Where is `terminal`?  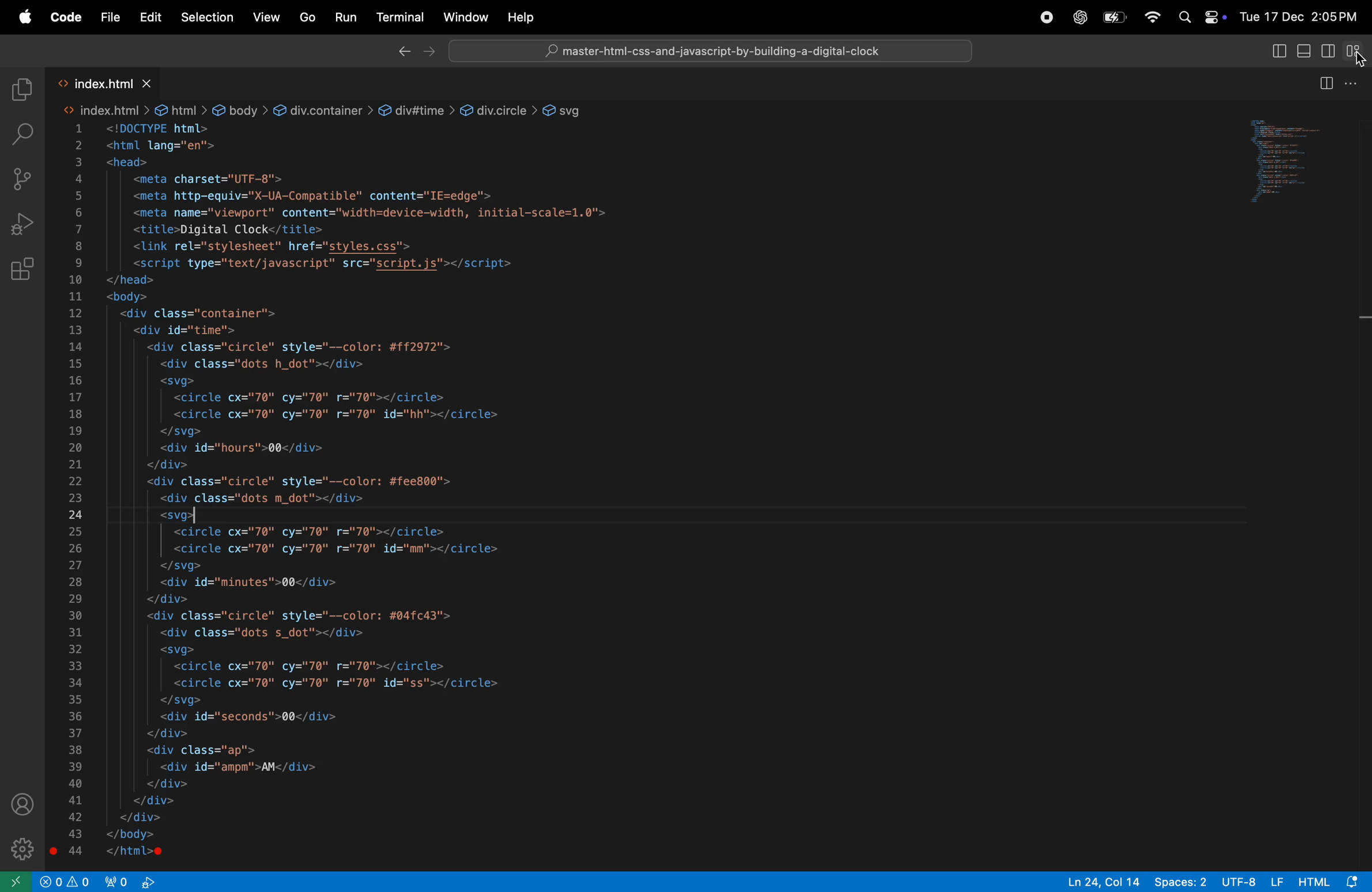 terminal is located at coordinates (402, 16).